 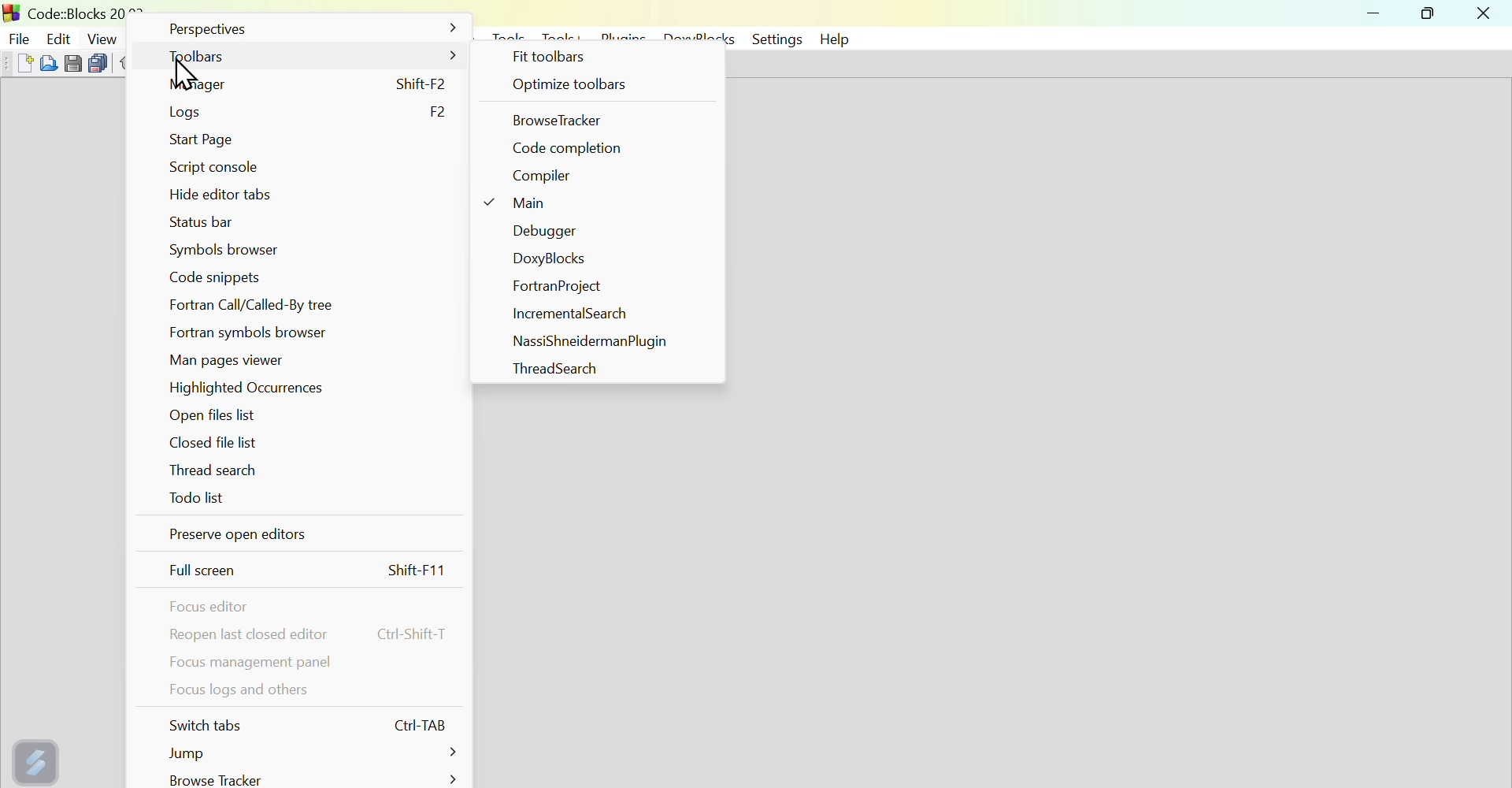 What do you see at coordinates (260, 389) in the screenshot?
I see `Highlighted occurrences` at bounding box center [260, 389].